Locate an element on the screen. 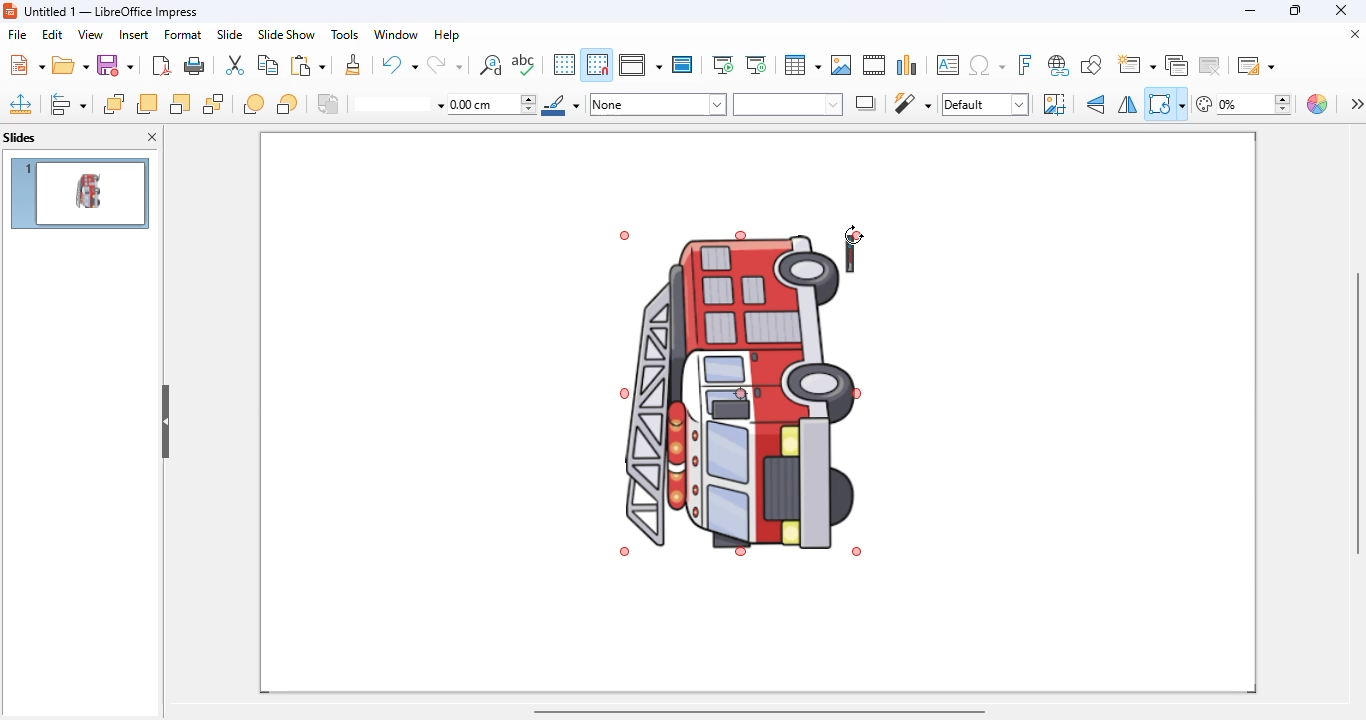  color is located at coordinates (1319, 104).